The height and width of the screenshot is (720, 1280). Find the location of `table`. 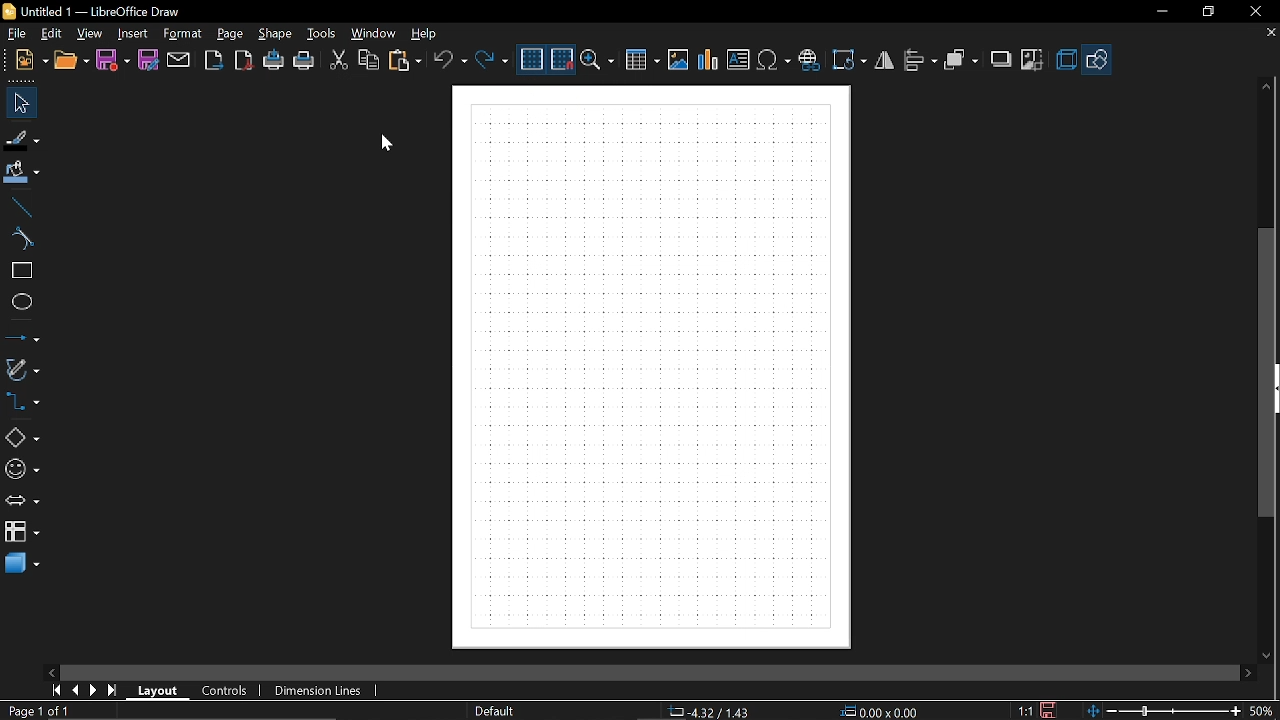

table is located at coordinates (643, 62).